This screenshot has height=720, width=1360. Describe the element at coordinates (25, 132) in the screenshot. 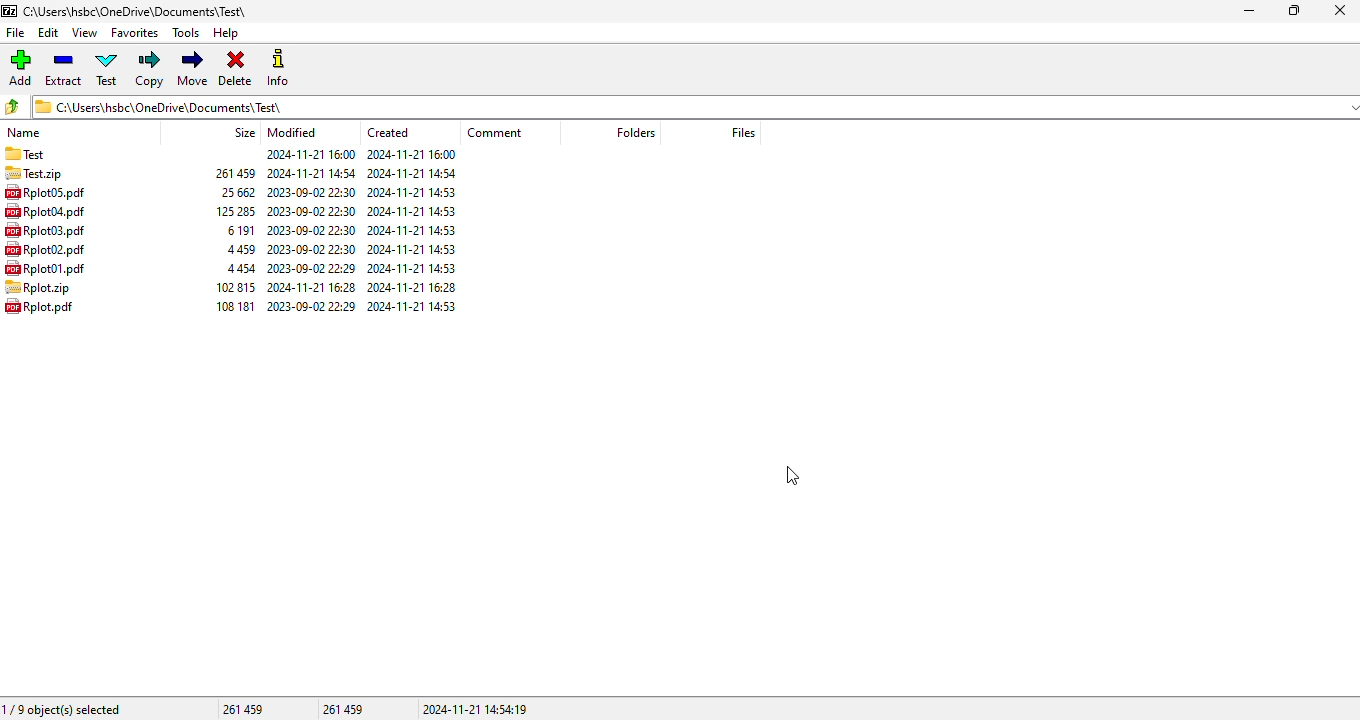

I see `name` at that location.